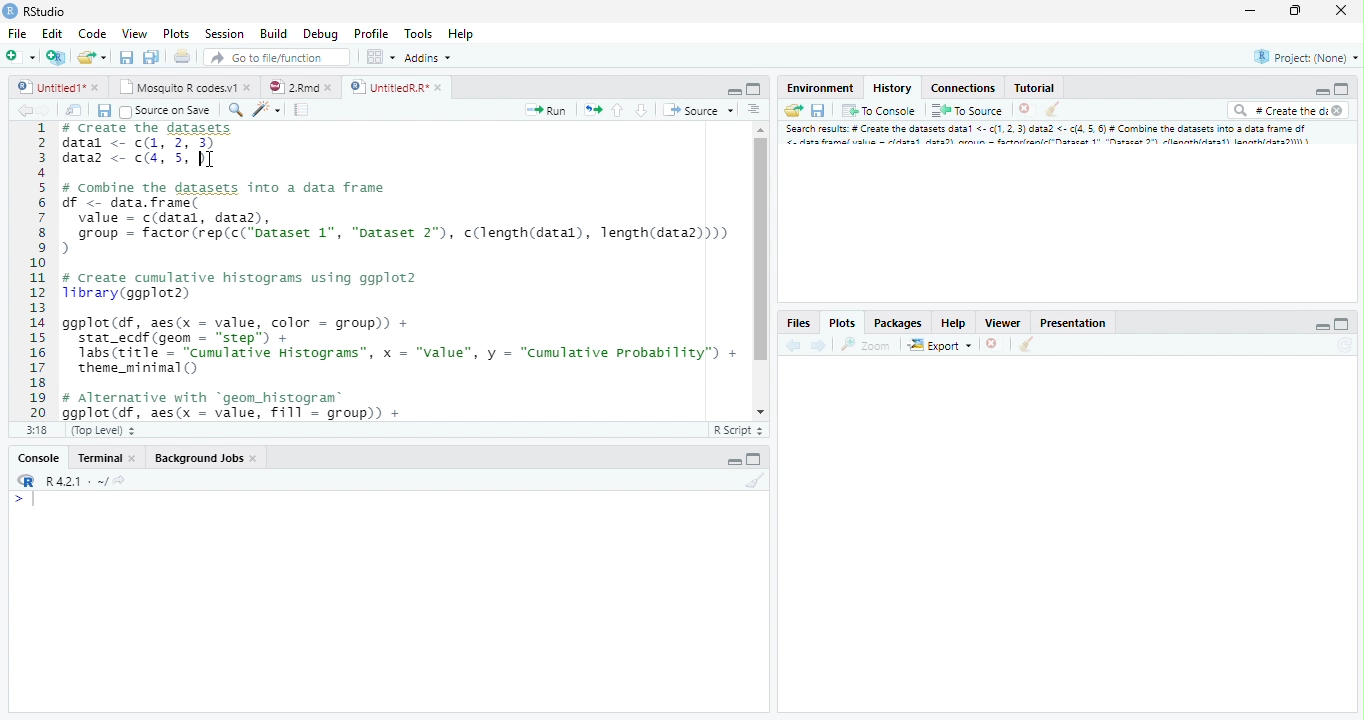 The width and height of the screenshot is (1364, 720). I want to click on Go to the next section/chunk, so click(641, 111).